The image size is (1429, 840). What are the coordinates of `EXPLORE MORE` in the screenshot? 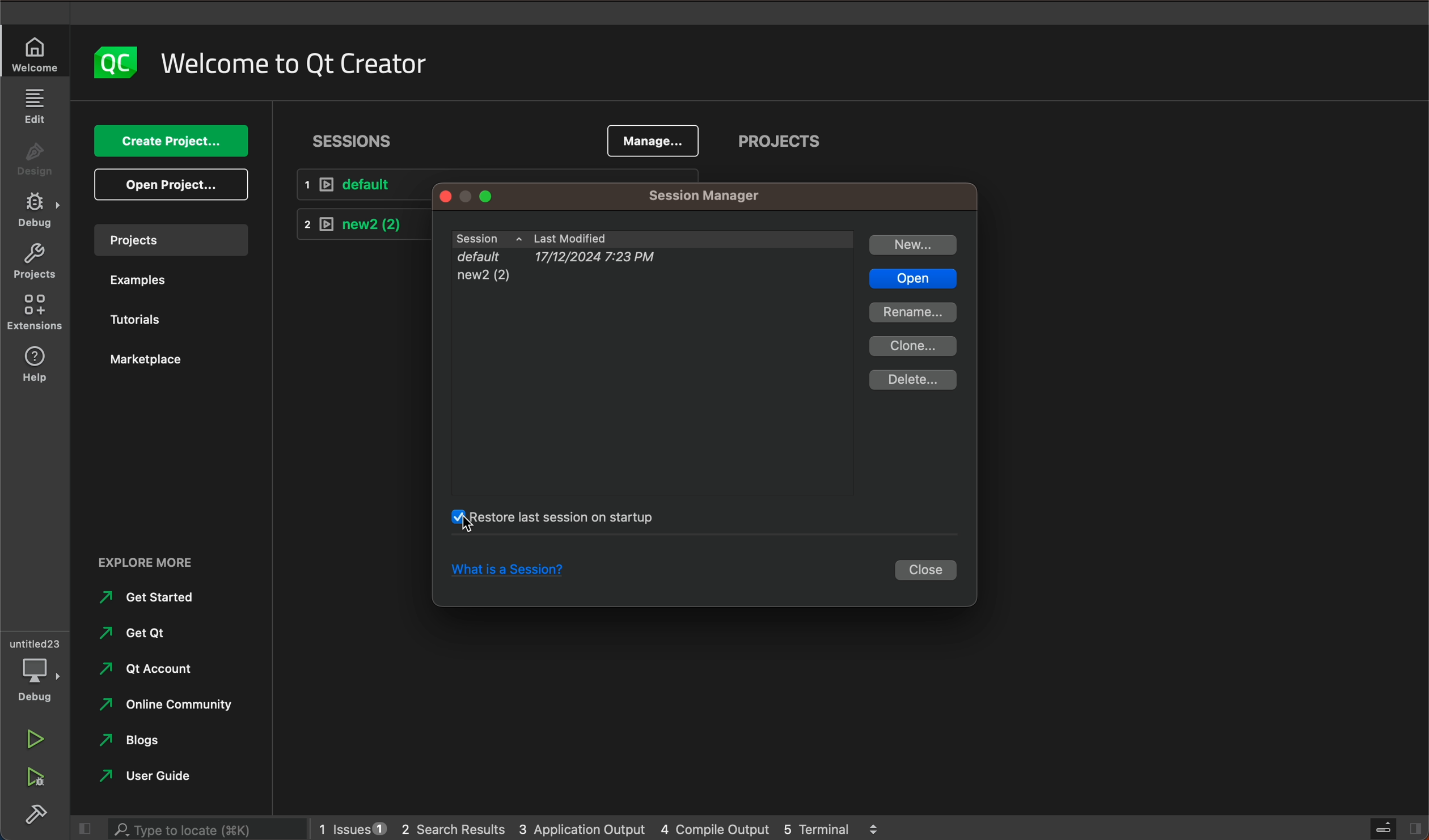 It's located at (150, 562).